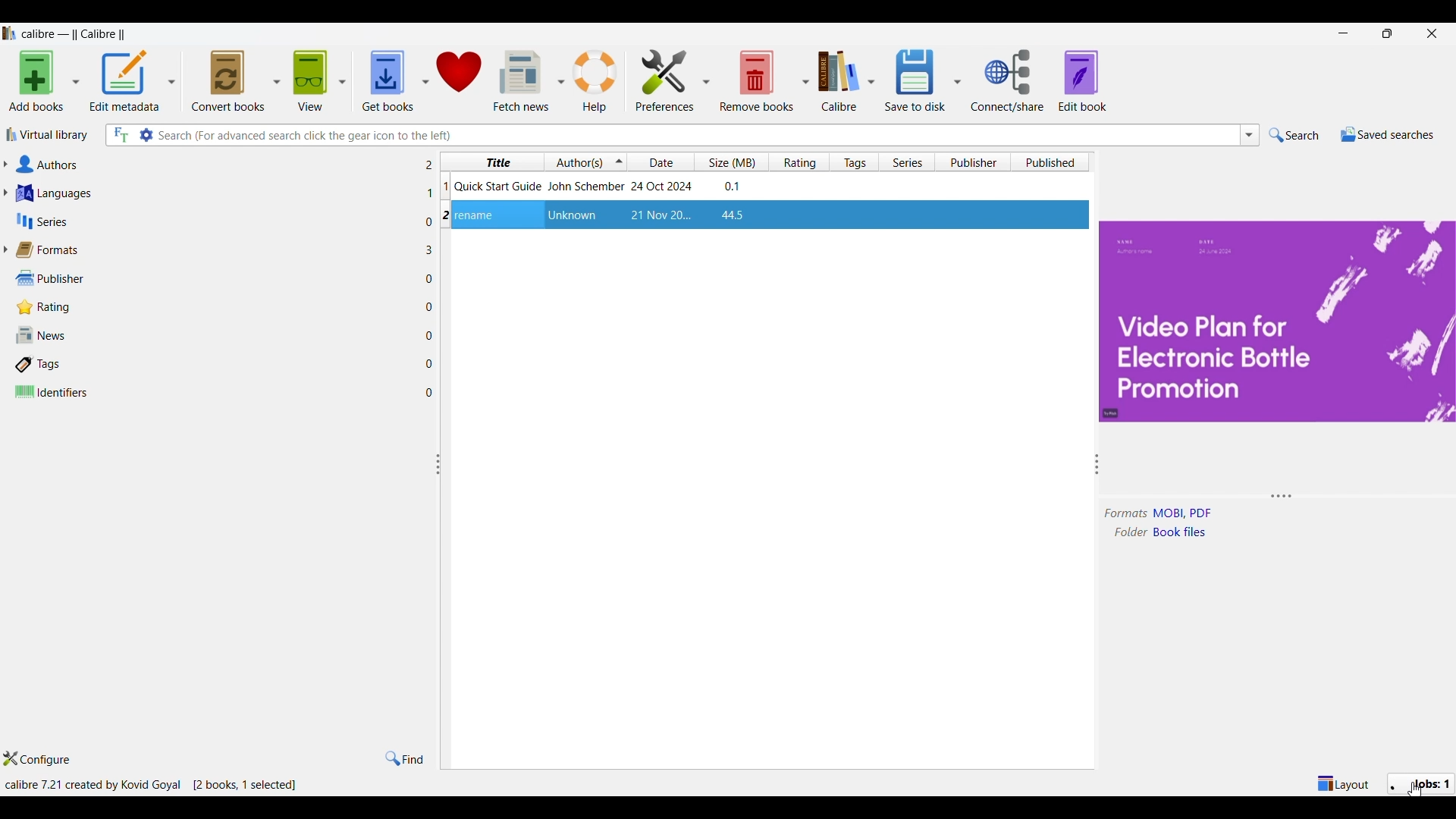 The image size is (1456, 819). What do you see at coordinates (596, 81) in the screenshot?
I see `Help` at bounding box center [596, 81].